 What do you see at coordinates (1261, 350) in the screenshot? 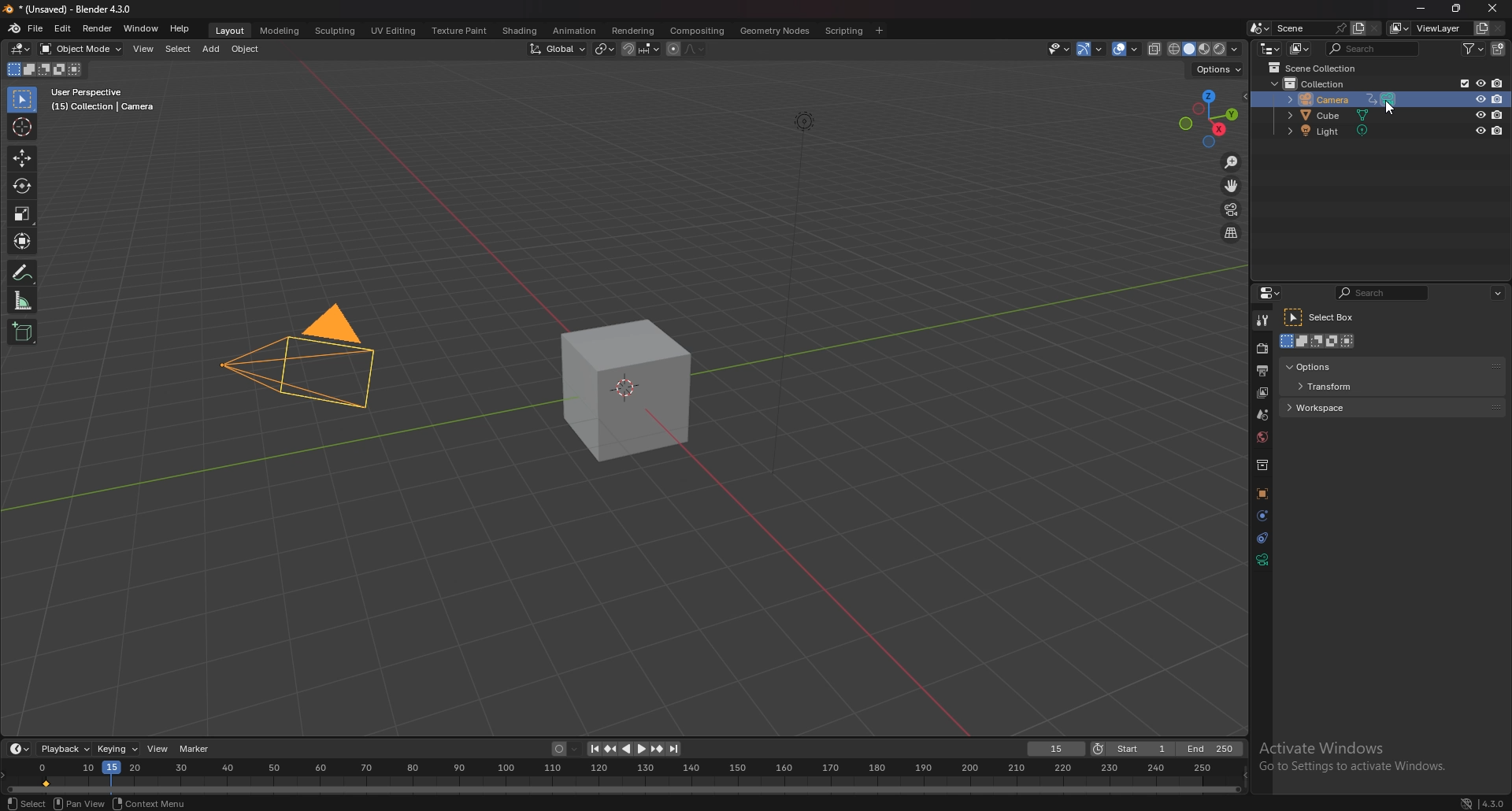
I see `render` at bounding box center [1261, 350].